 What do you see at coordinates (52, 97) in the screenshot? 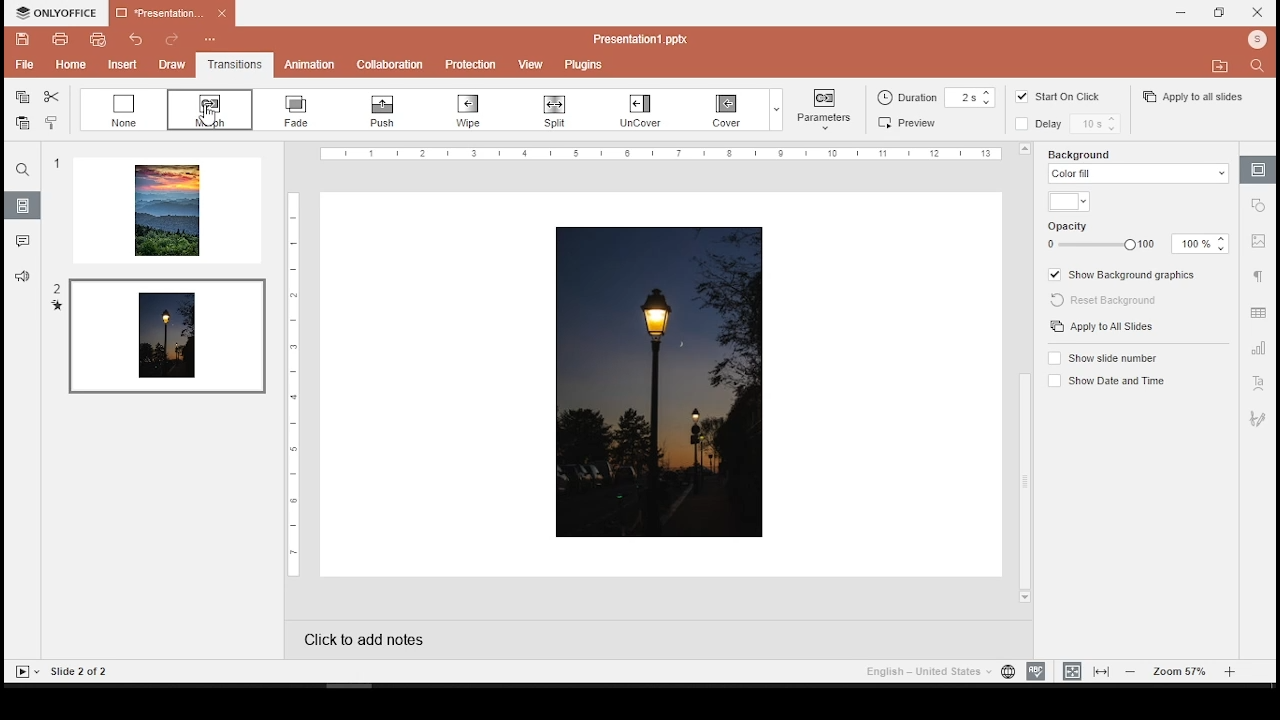
I see `cut` at bounding box center [52, 97].